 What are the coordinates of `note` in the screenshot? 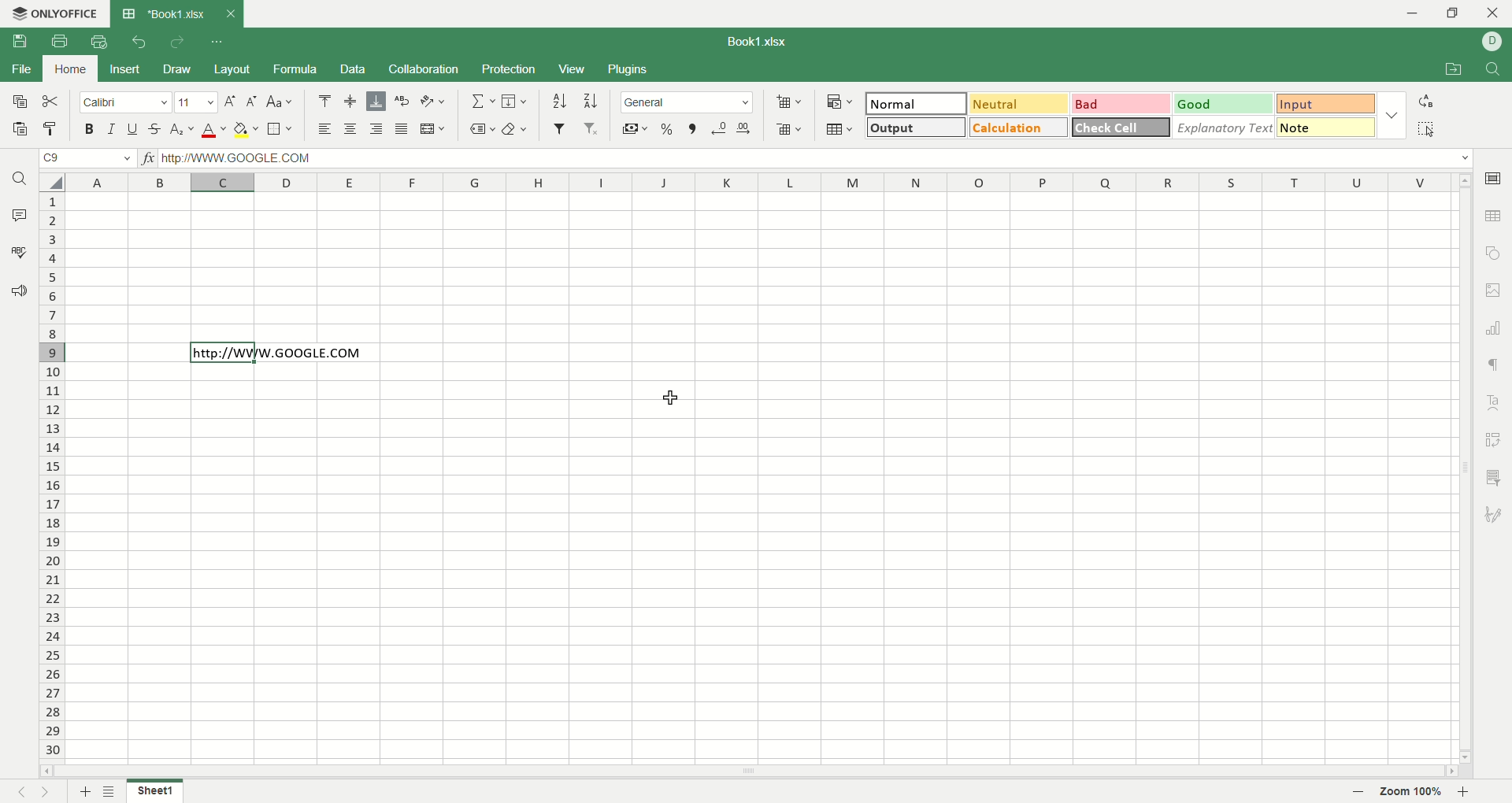 It's located at (1326, 126).